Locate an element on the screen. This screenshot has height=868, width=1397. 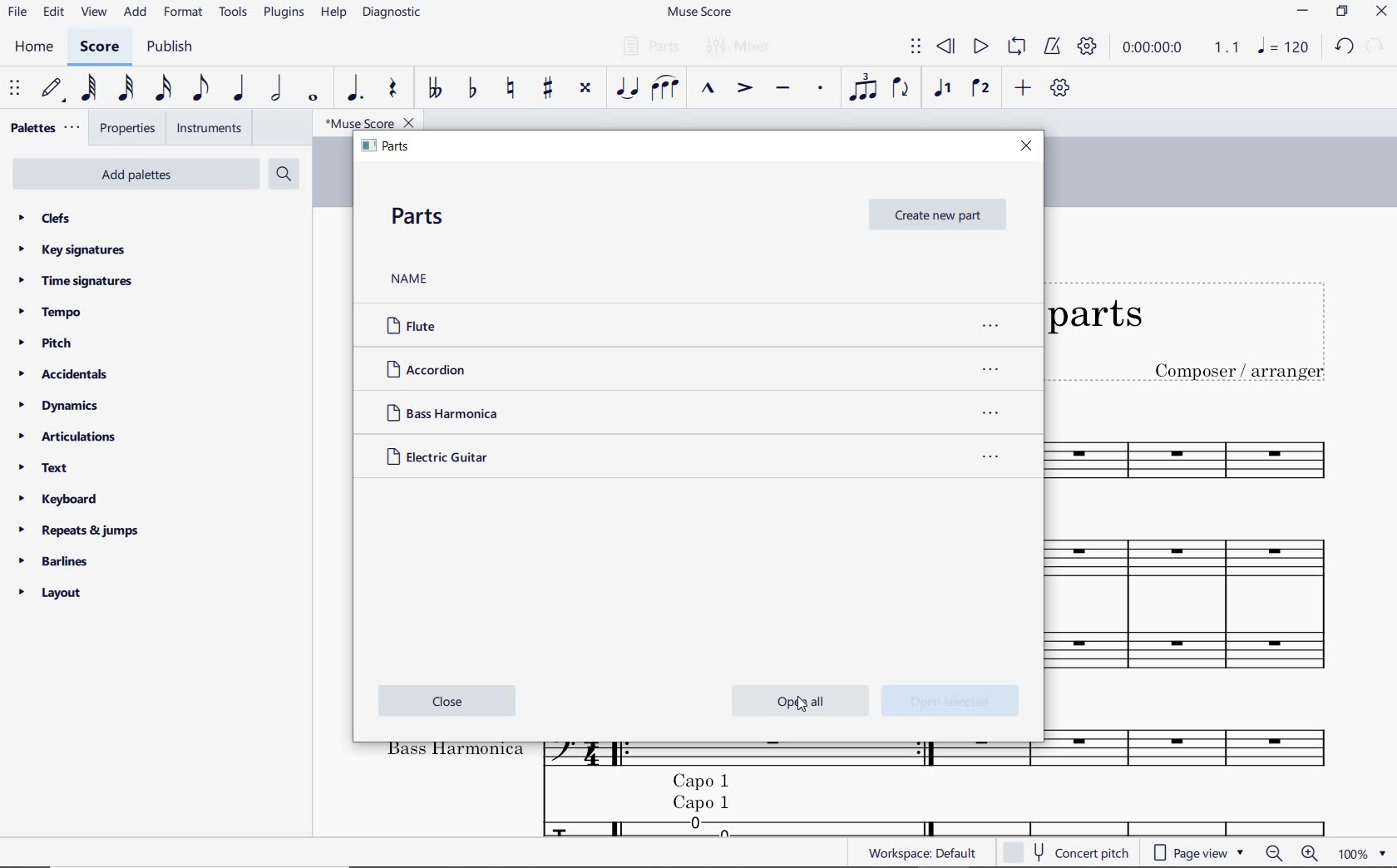
help is located at coordinates (333, 13).